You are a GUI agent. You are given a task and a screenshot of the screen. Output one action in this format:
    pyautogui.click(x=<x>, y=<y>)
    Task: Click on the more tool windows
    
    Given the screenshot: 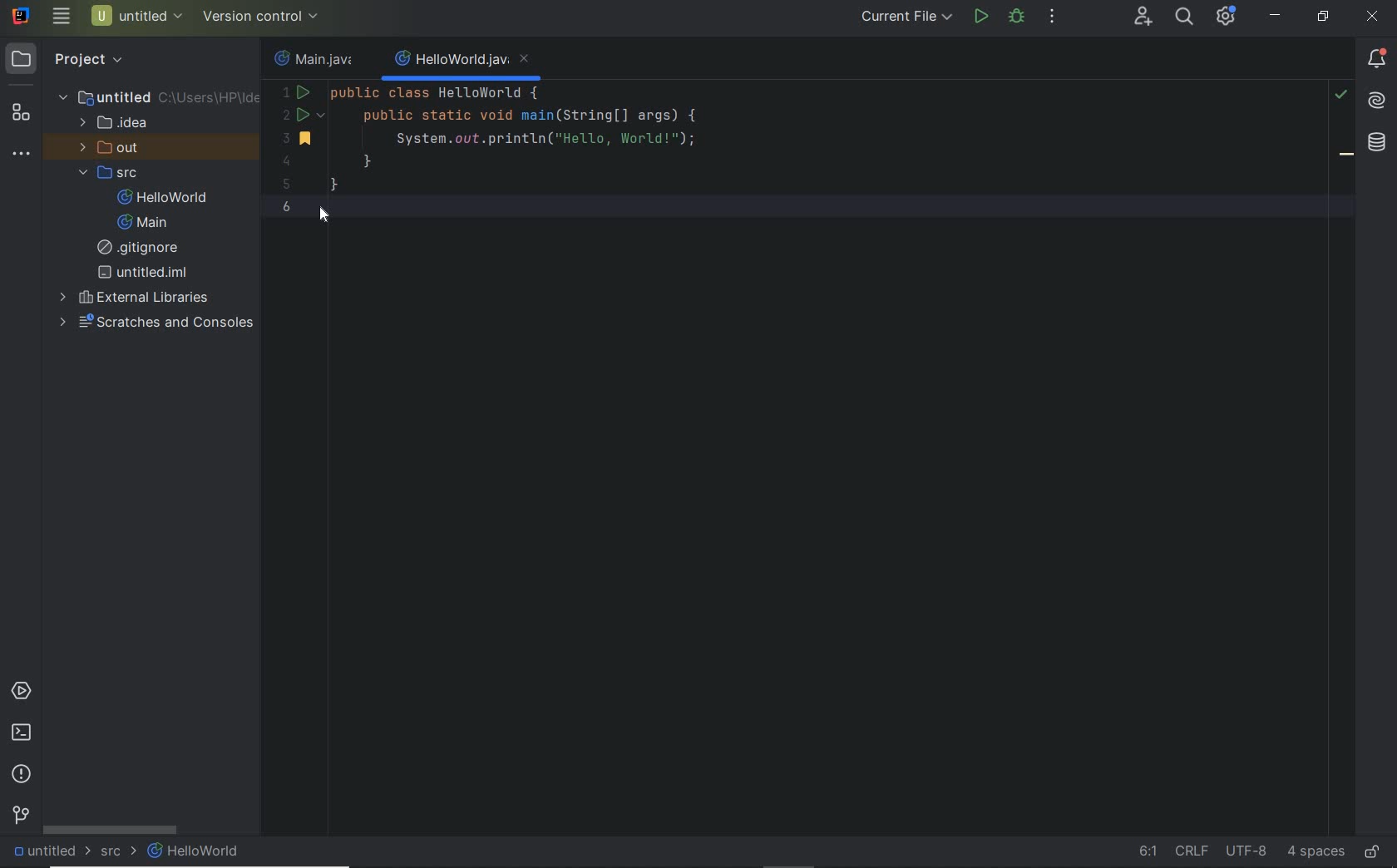 What is the action you would take?
    pyautogui.click(x=20, y=154)
    